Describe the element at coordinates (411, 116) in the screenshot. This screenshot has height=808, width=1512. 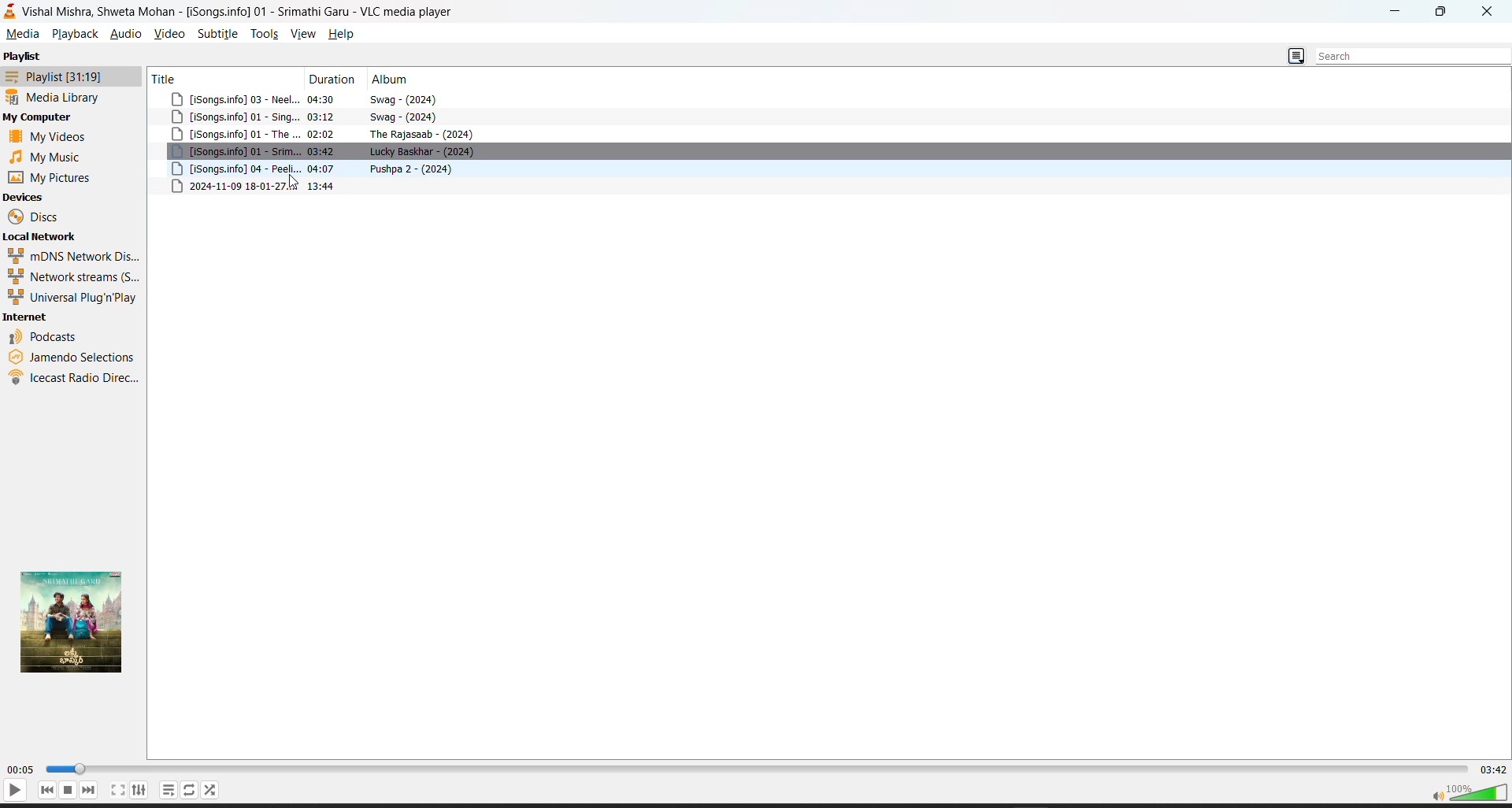
I see `swag-2024` at that location.